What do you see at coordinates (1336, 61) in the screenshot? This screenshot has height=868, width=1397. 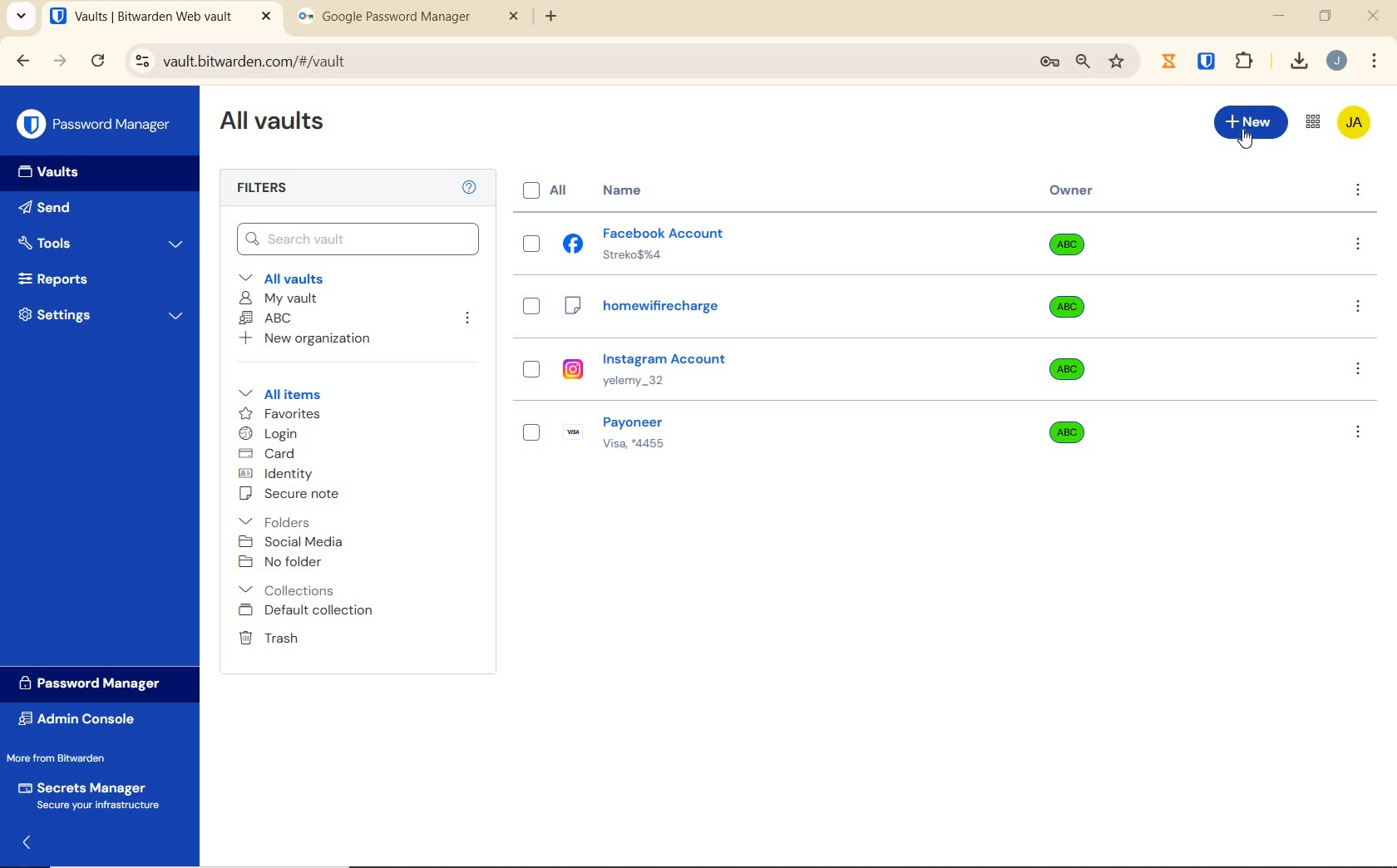 I see `Account` at bounding box center [1336, 61].